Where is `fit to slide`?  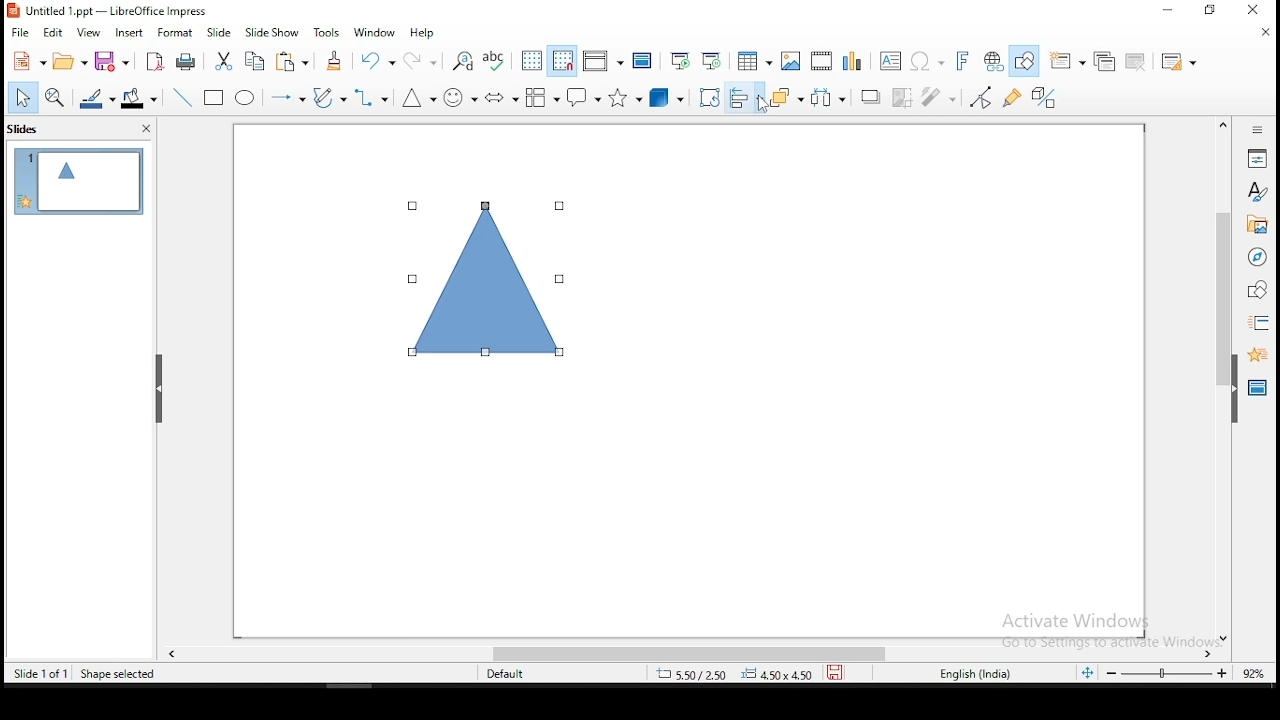
fit to slide is located at coordinates (1091, 676).